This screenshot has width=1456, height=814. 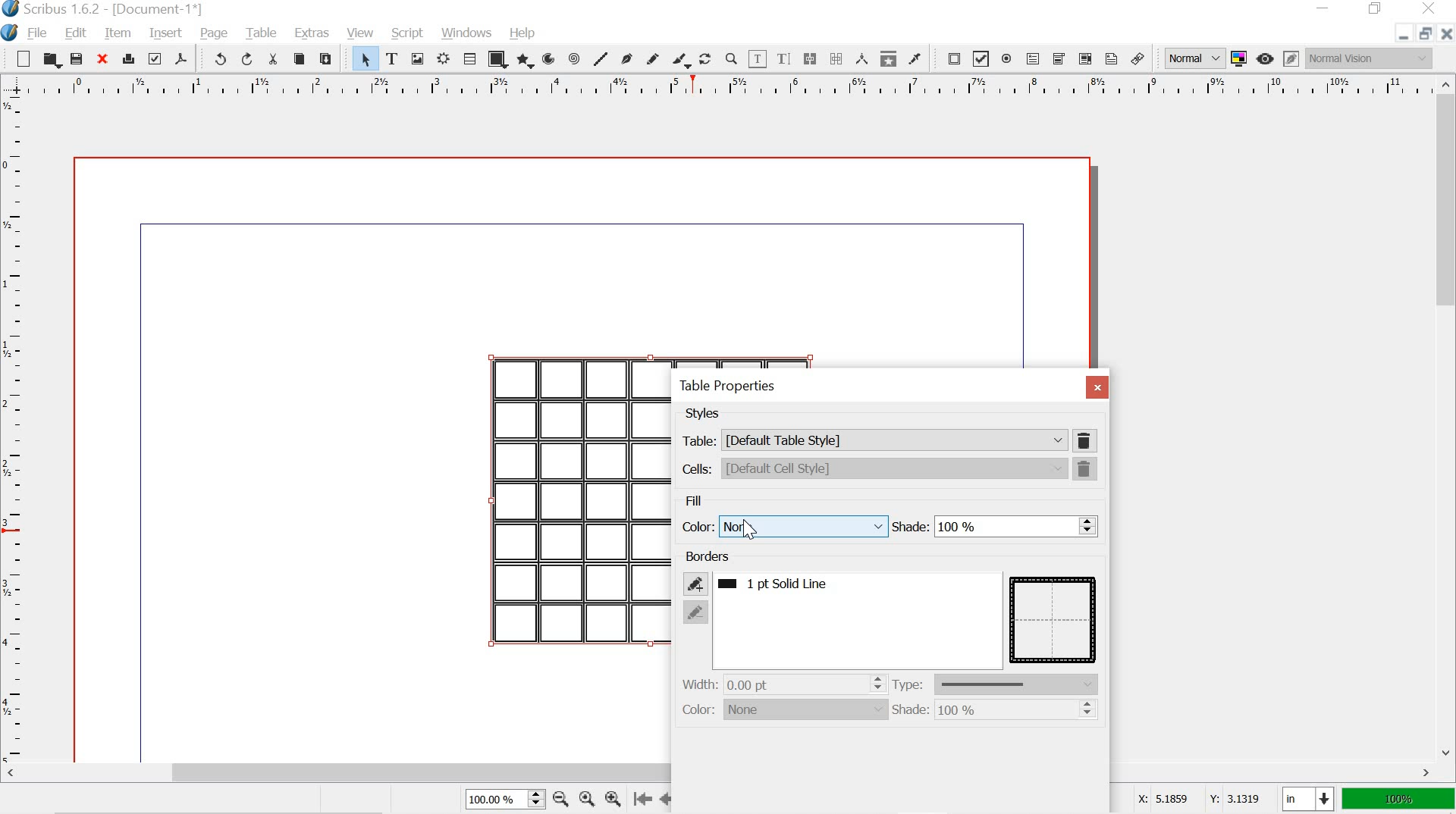 I want to click on delete, so click(x=1087, y=469).